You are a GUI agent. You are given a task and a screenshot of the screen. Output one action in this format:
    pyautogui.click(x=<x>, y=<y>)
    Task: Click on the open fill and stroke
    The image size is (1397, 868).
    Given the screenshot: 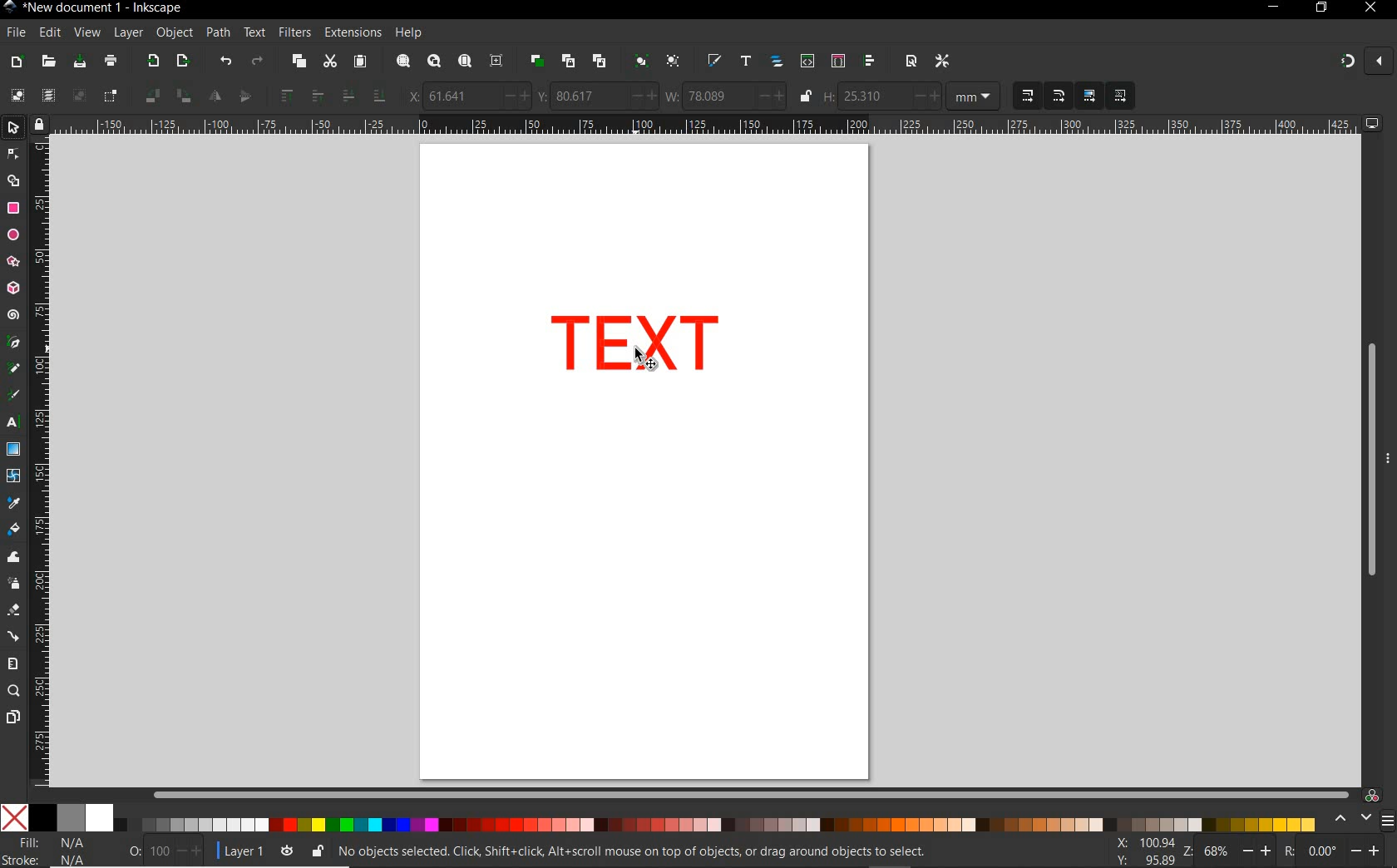 What is the action you would take?
    pyautogui.click(x=715, y=62)
    